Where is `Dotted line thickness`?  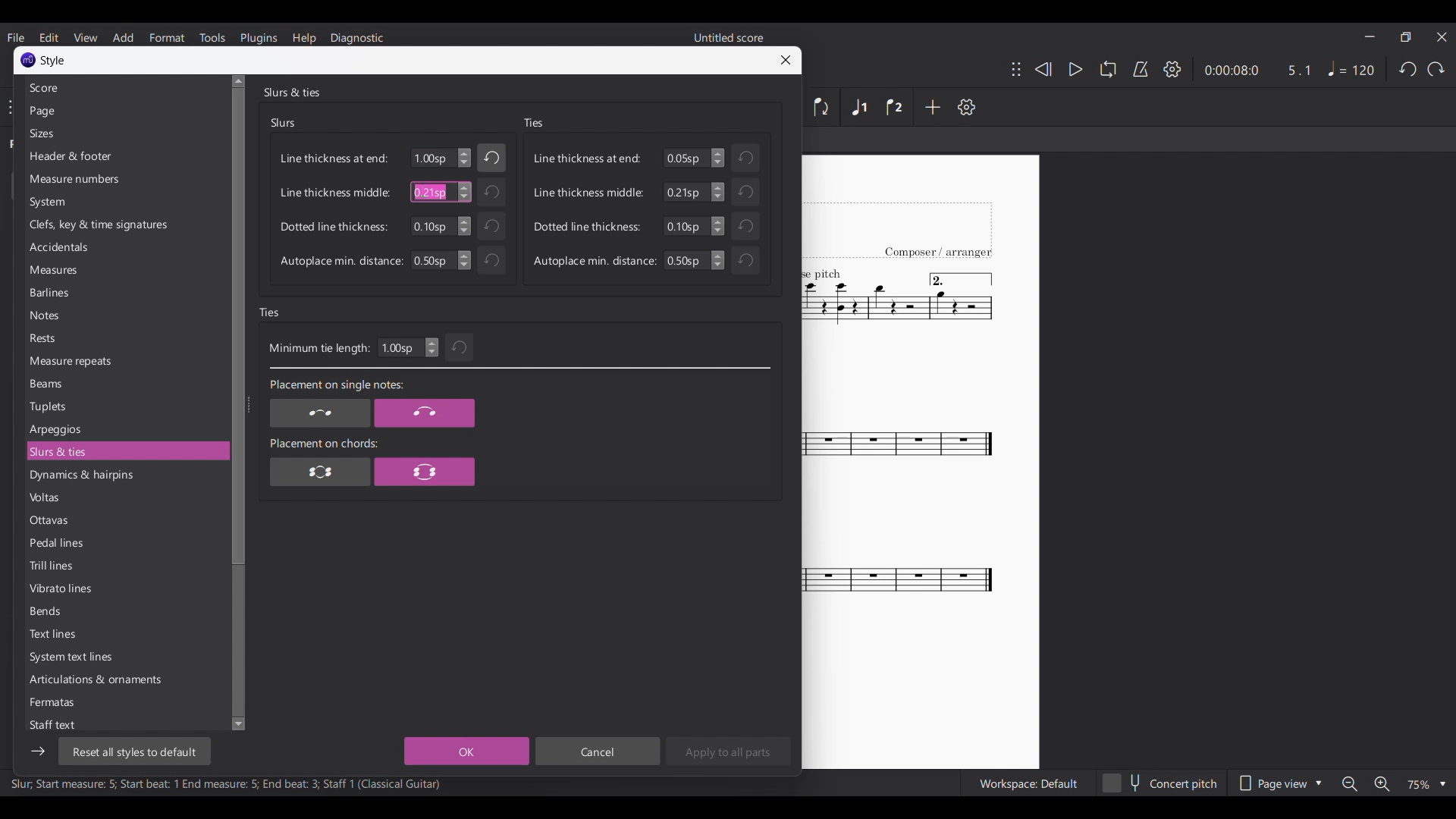
Dotted line thickness is located at coordinates (588, 226).